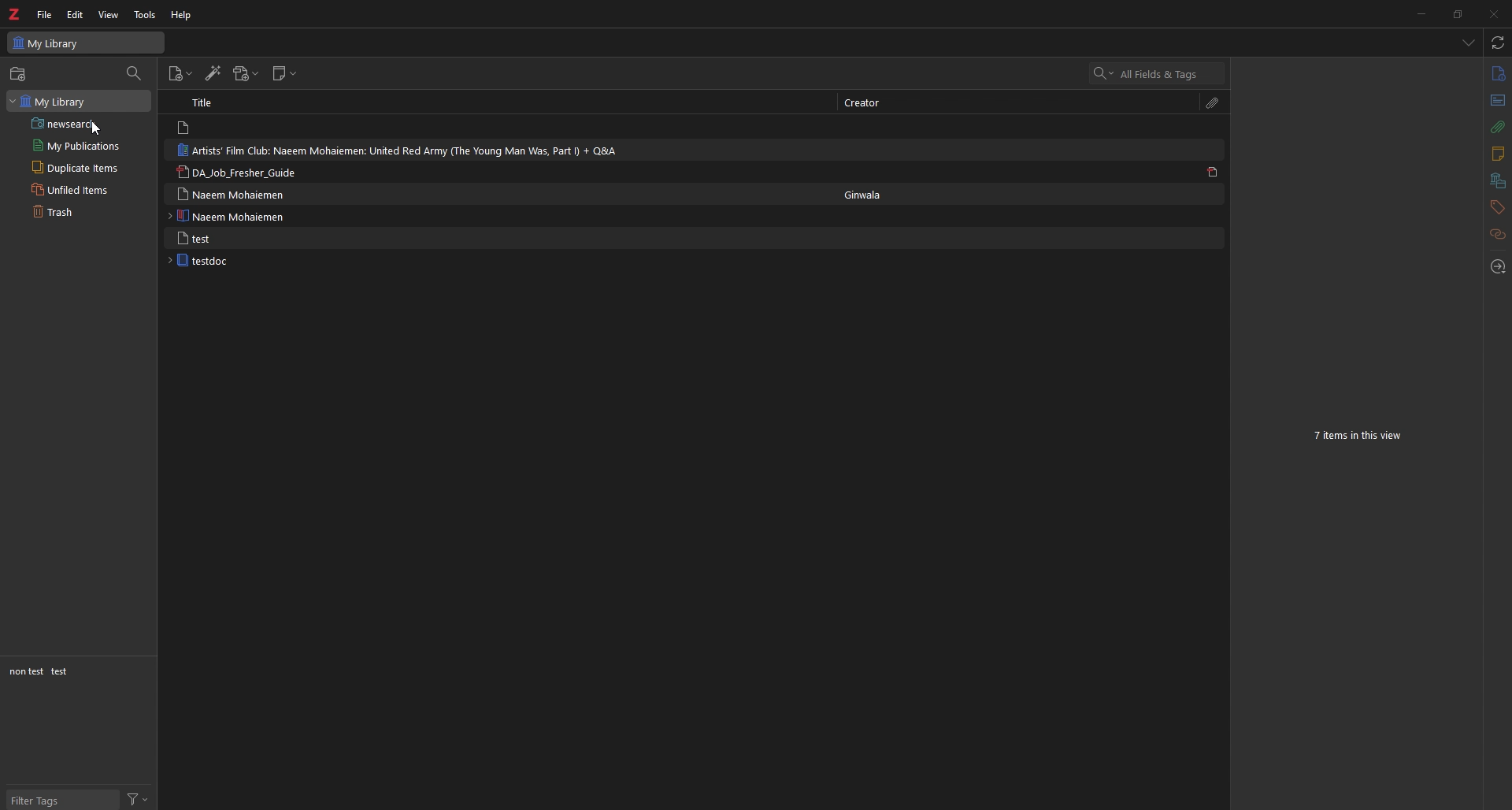 This screenshot has height=810, width=1512. What do you see at coordinates (1495, 13) in the screenshot?
I see `Close` at bounding box center [1495, 13].